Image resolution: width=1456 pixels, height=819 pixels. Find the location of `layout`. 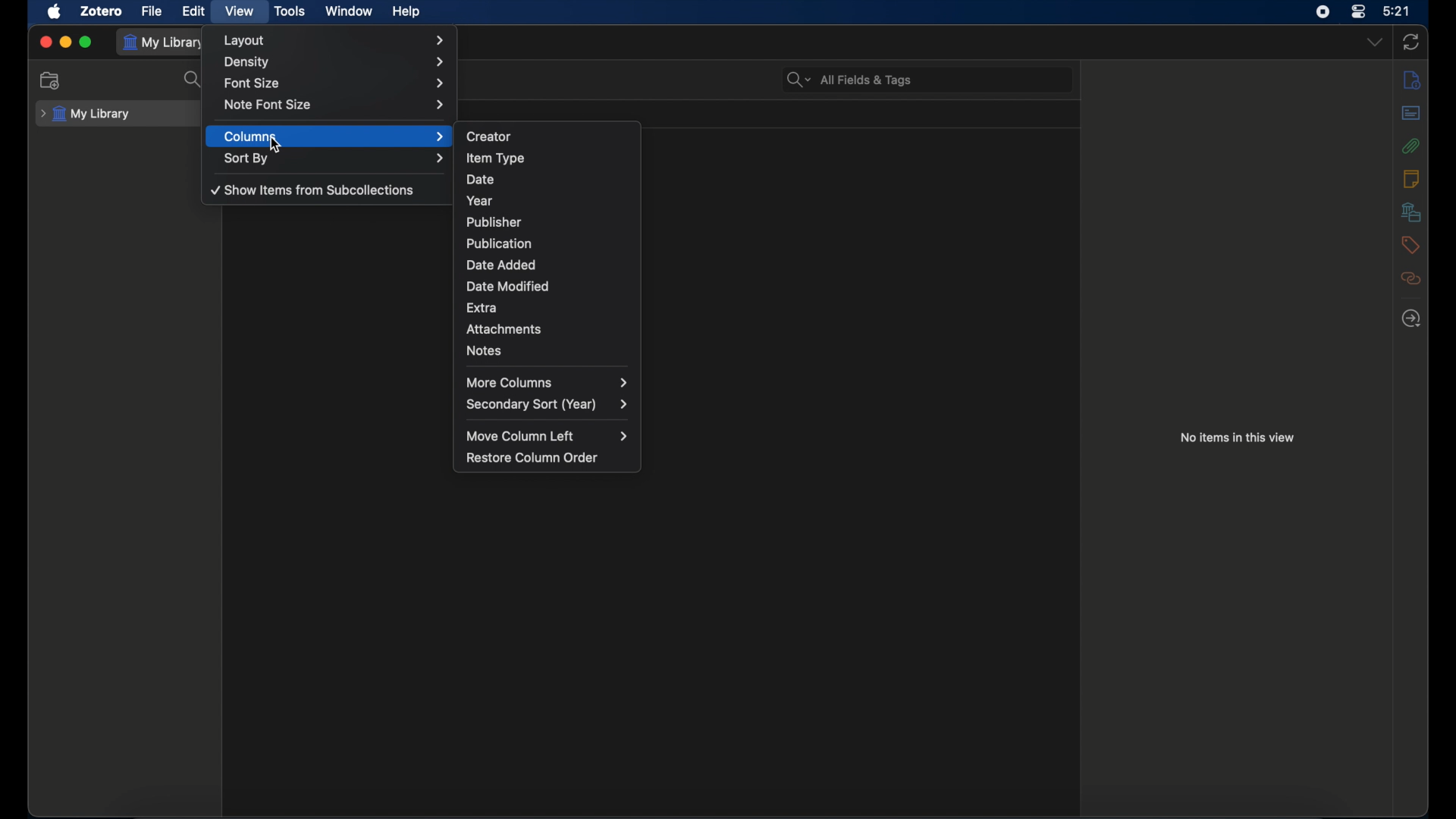

layout is located at coordinates (336, 40).